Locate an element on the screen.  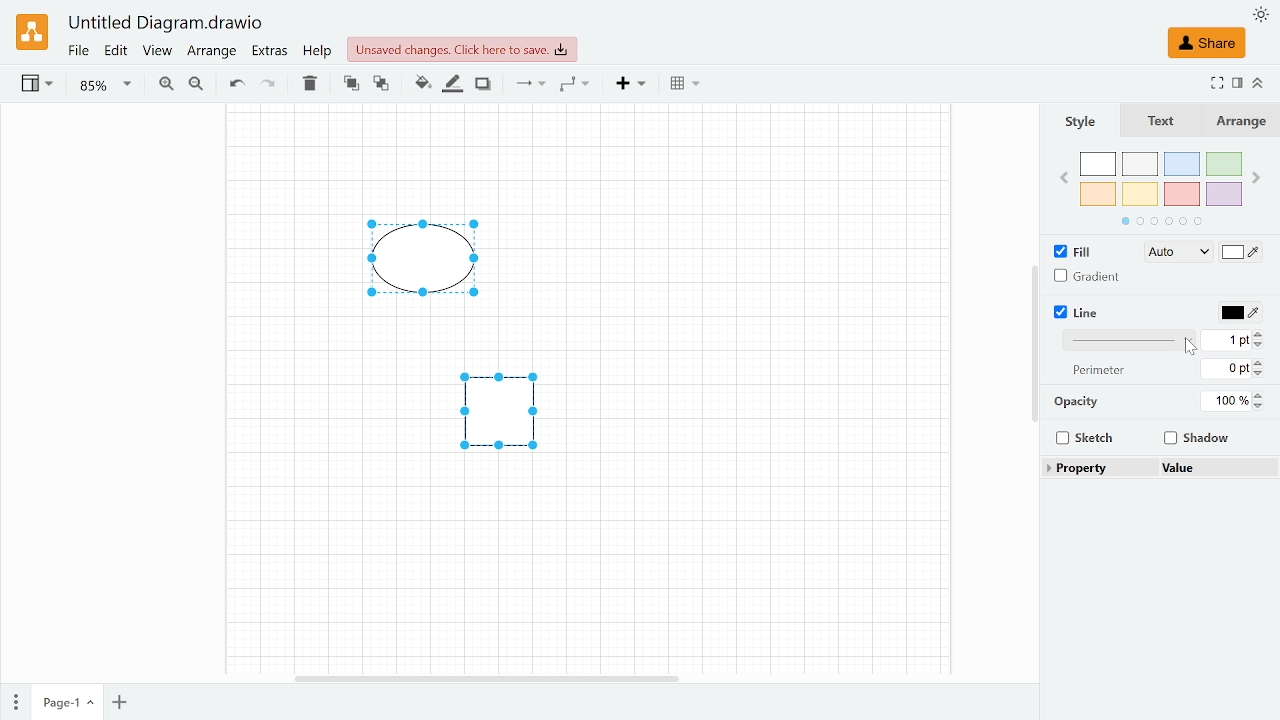
Extras is located at coordinates (270, 53).